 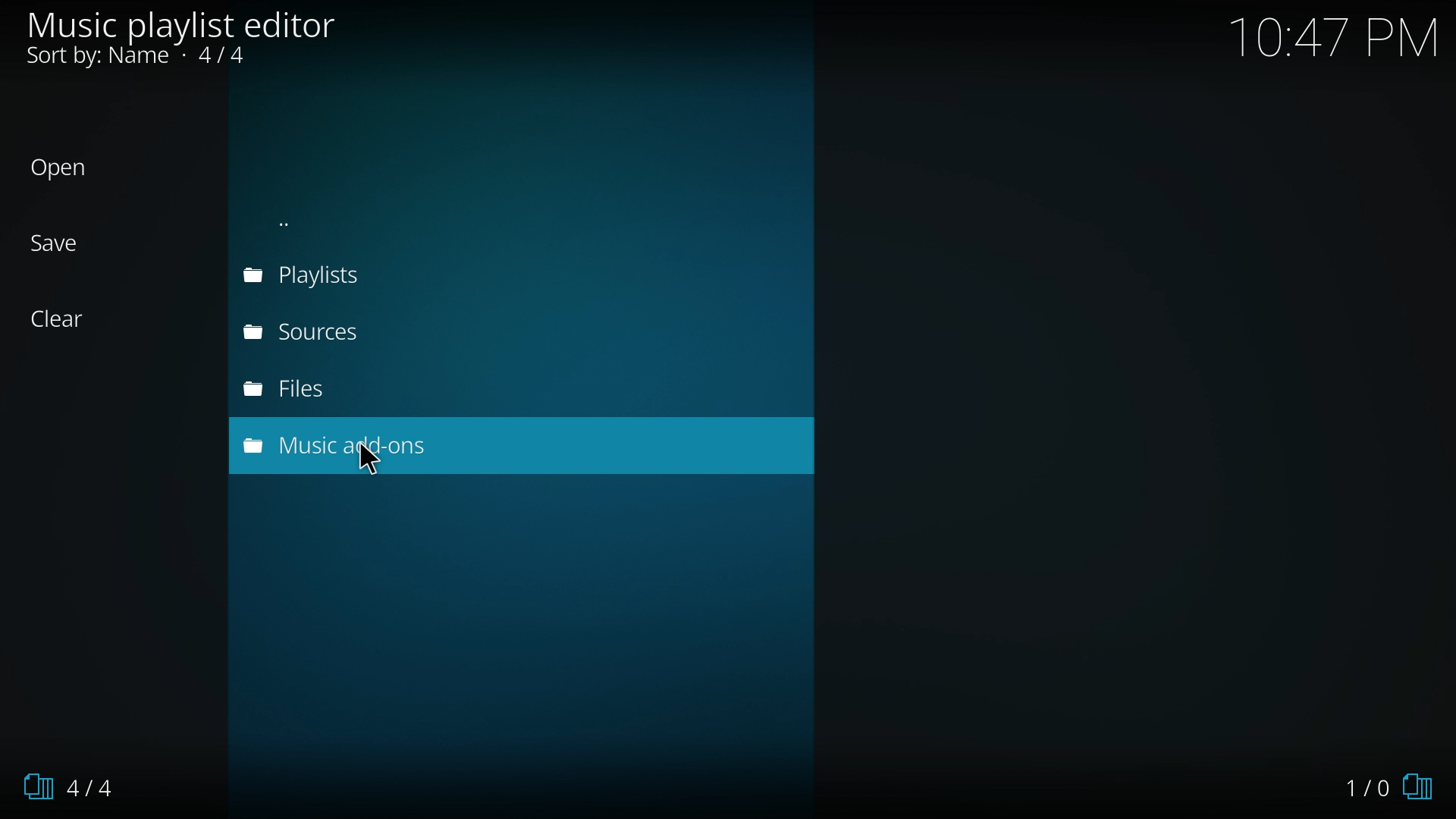 I want to click on music add ons, so click(x=297, y=446).